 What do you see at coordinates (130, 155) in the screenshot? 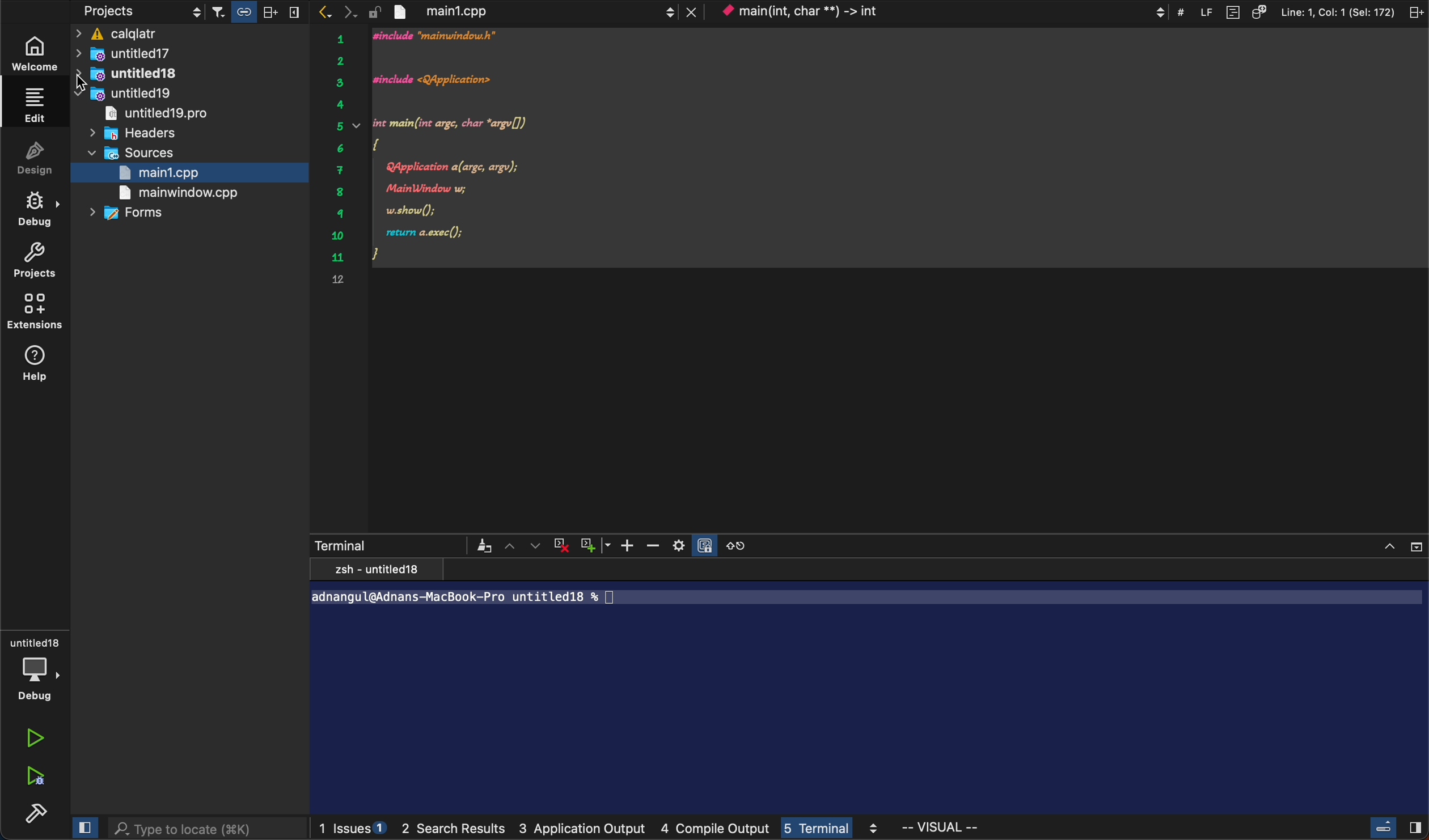
I see `sources` at bounding box center [130, 155].